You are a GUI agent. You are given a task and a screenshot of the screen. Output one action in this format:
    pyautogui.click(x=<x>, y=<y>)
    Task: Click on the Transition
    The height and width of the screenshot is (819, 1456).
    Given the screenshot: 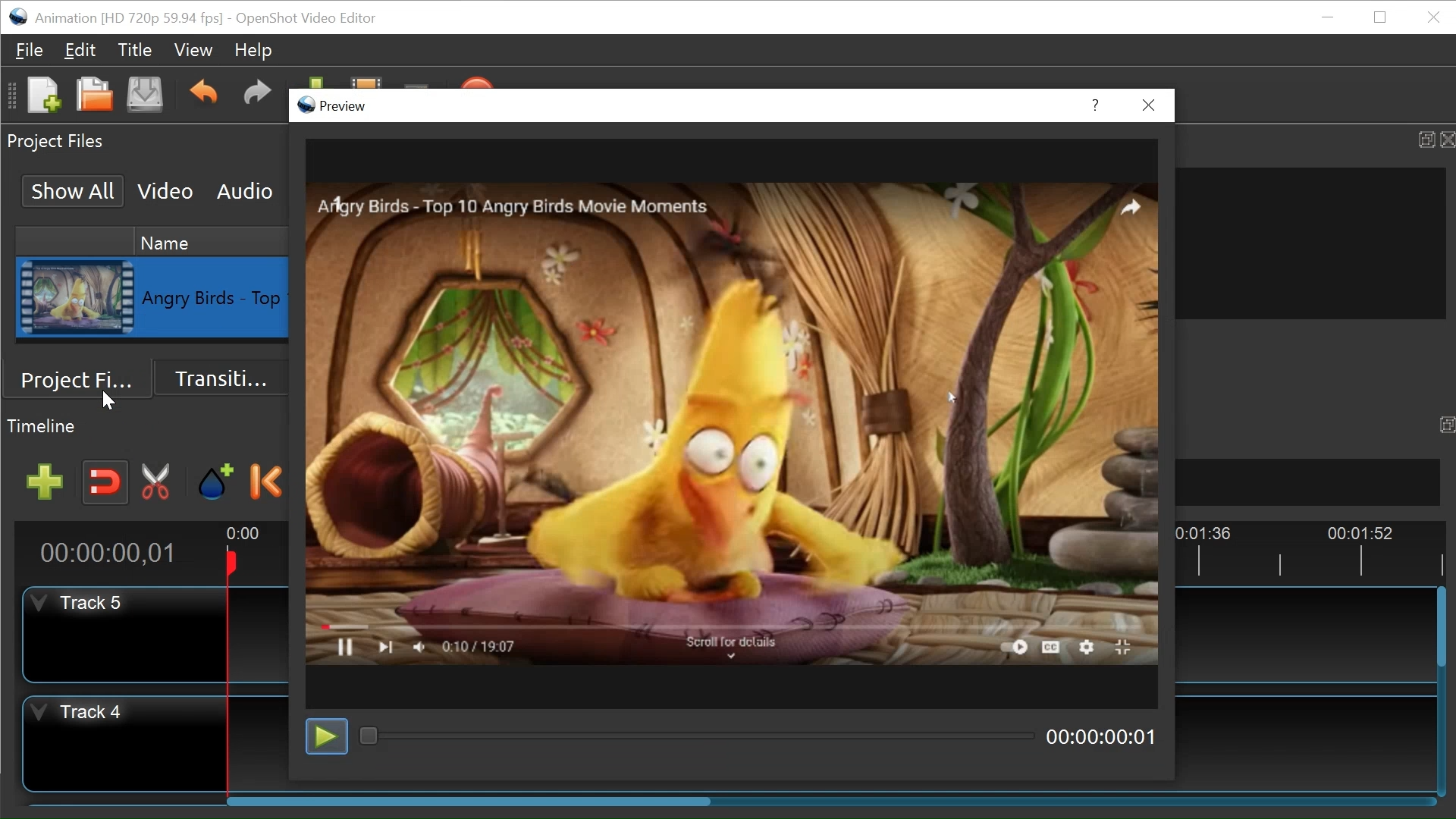 What is the action you would take?
    pyautogui.click(x=221, y=378)
    